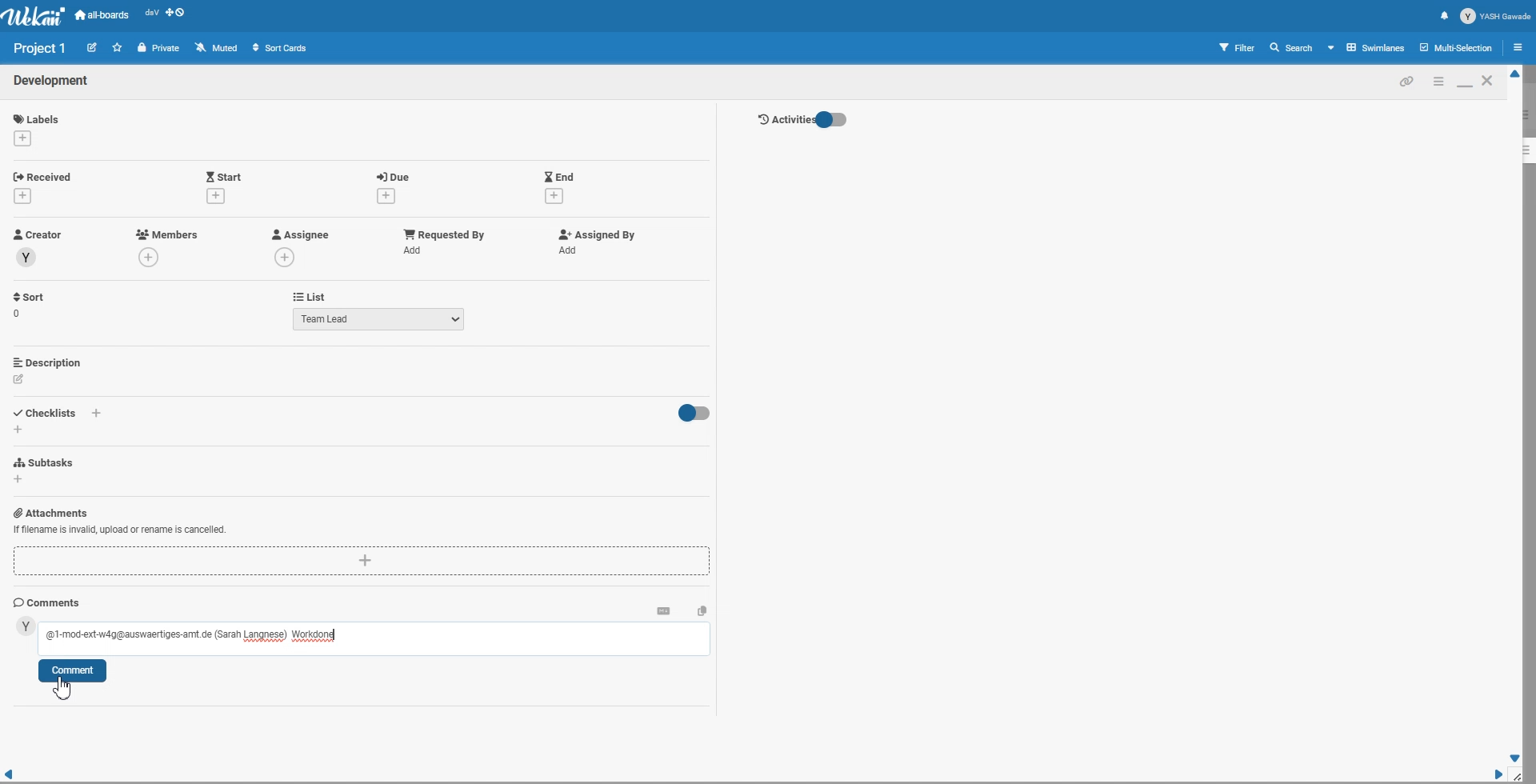 The height and width of the screenshot is (784, 1536). What do you see at coordinates (554, 197) in the screenshot?
I see `add` at bounding box center [554, 197].